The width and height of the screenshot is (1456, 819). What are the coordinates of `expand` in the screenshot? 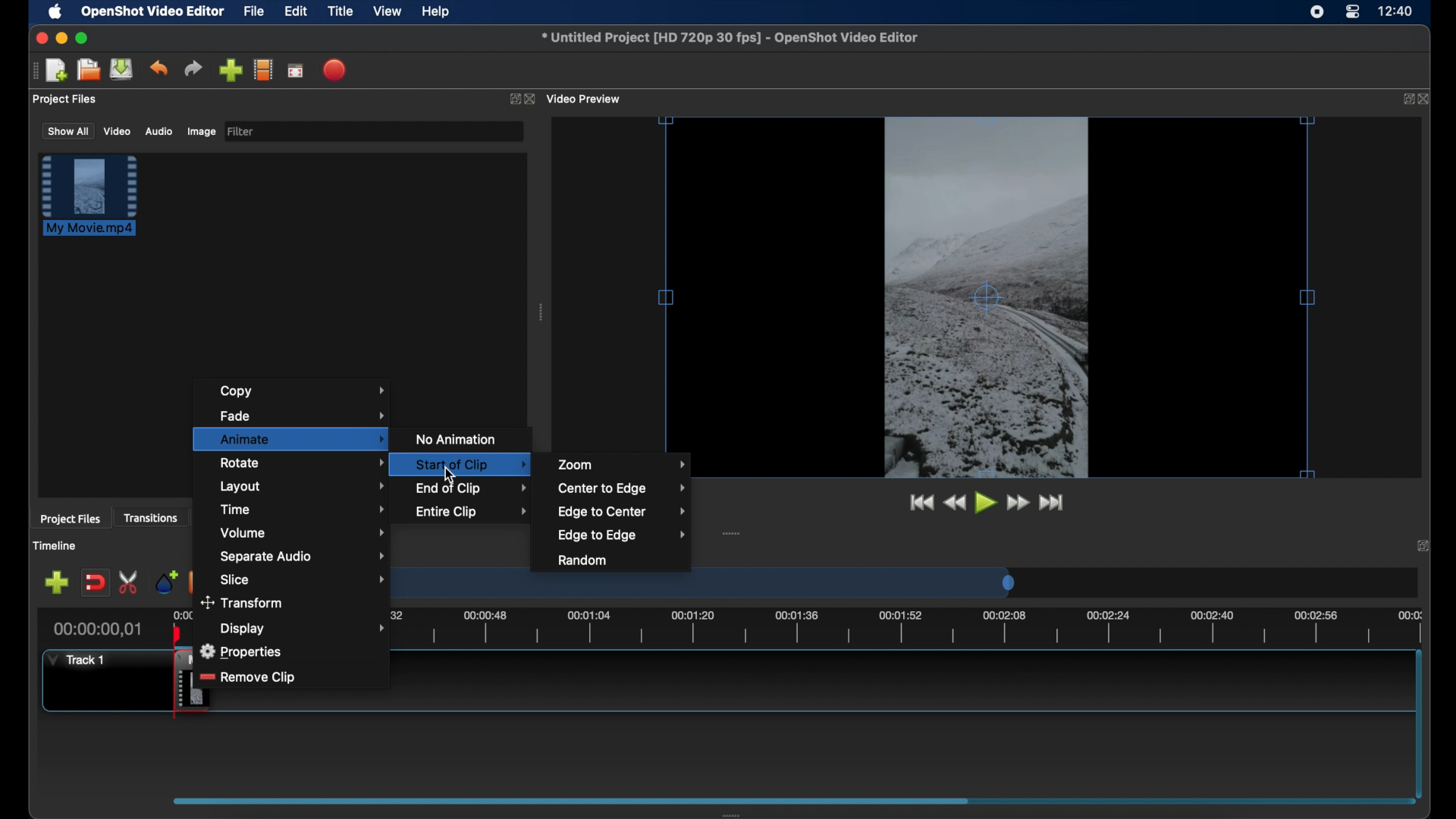 It's located at (1405, 99).